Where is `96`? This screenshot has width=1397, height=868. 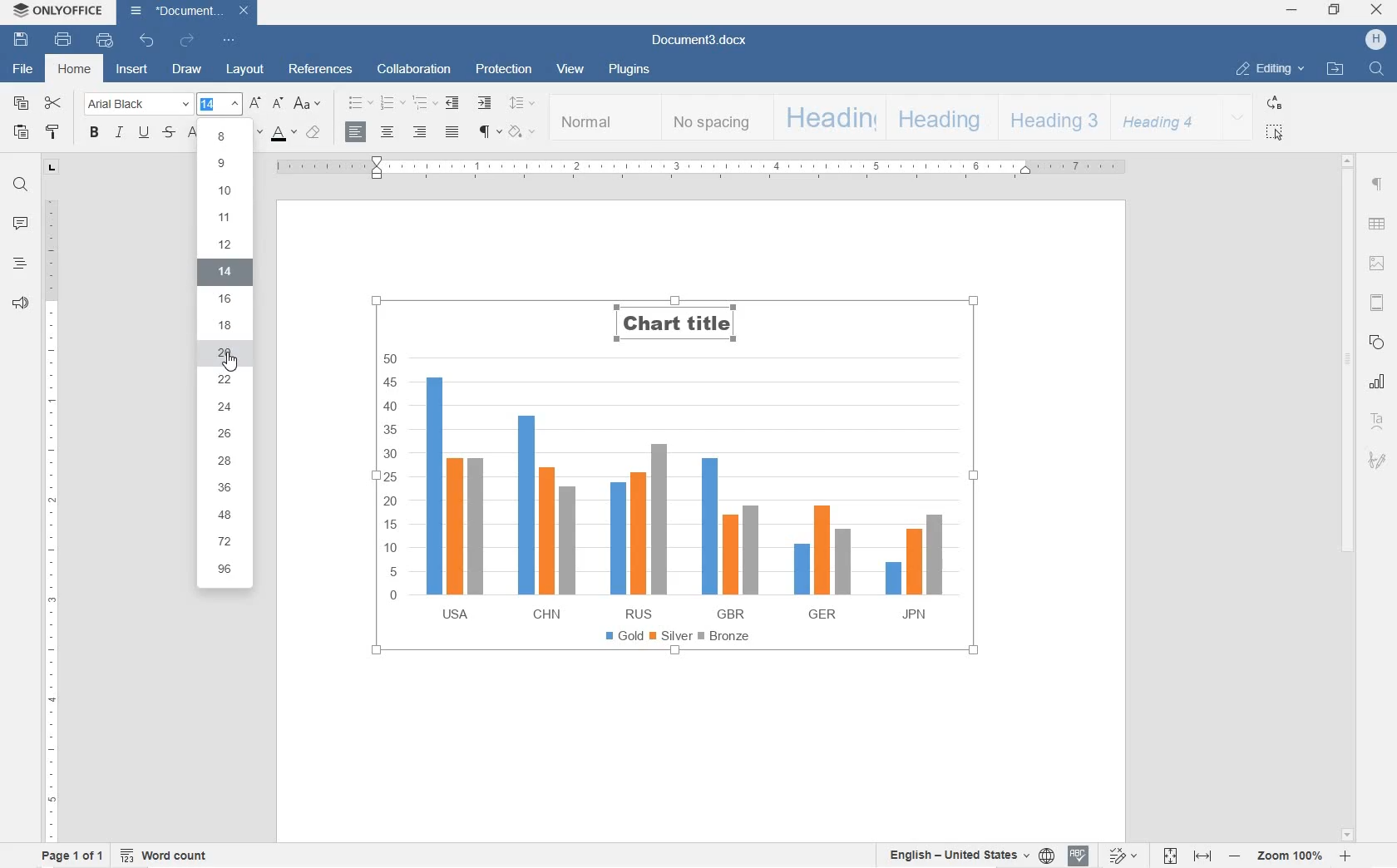
96 is located at coordinates (225, 570).